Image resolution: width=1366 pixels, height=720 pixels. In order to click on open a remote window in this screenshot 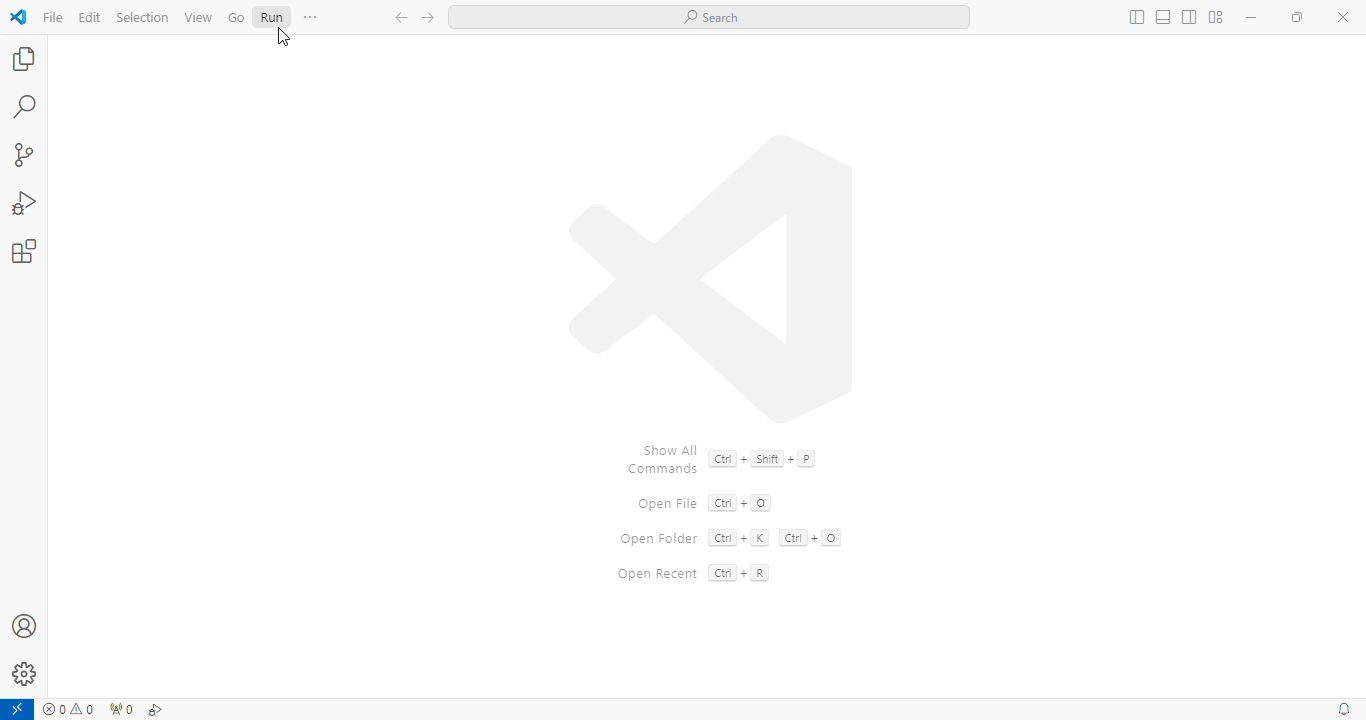, I will do `click(17, 710)`.